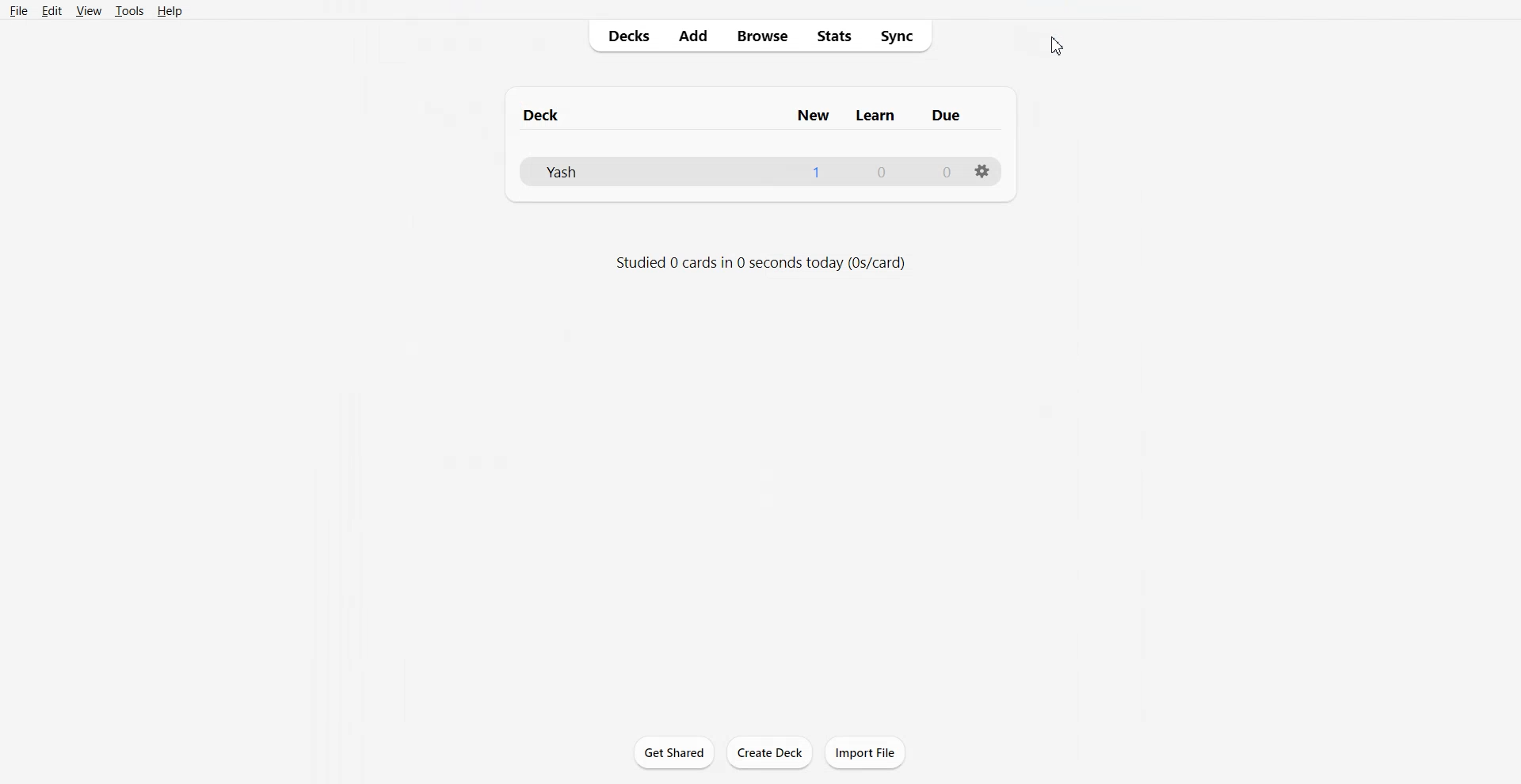  Describe the element at coordinates (51, 10) in the screenshot. I see `Edit` at that location.